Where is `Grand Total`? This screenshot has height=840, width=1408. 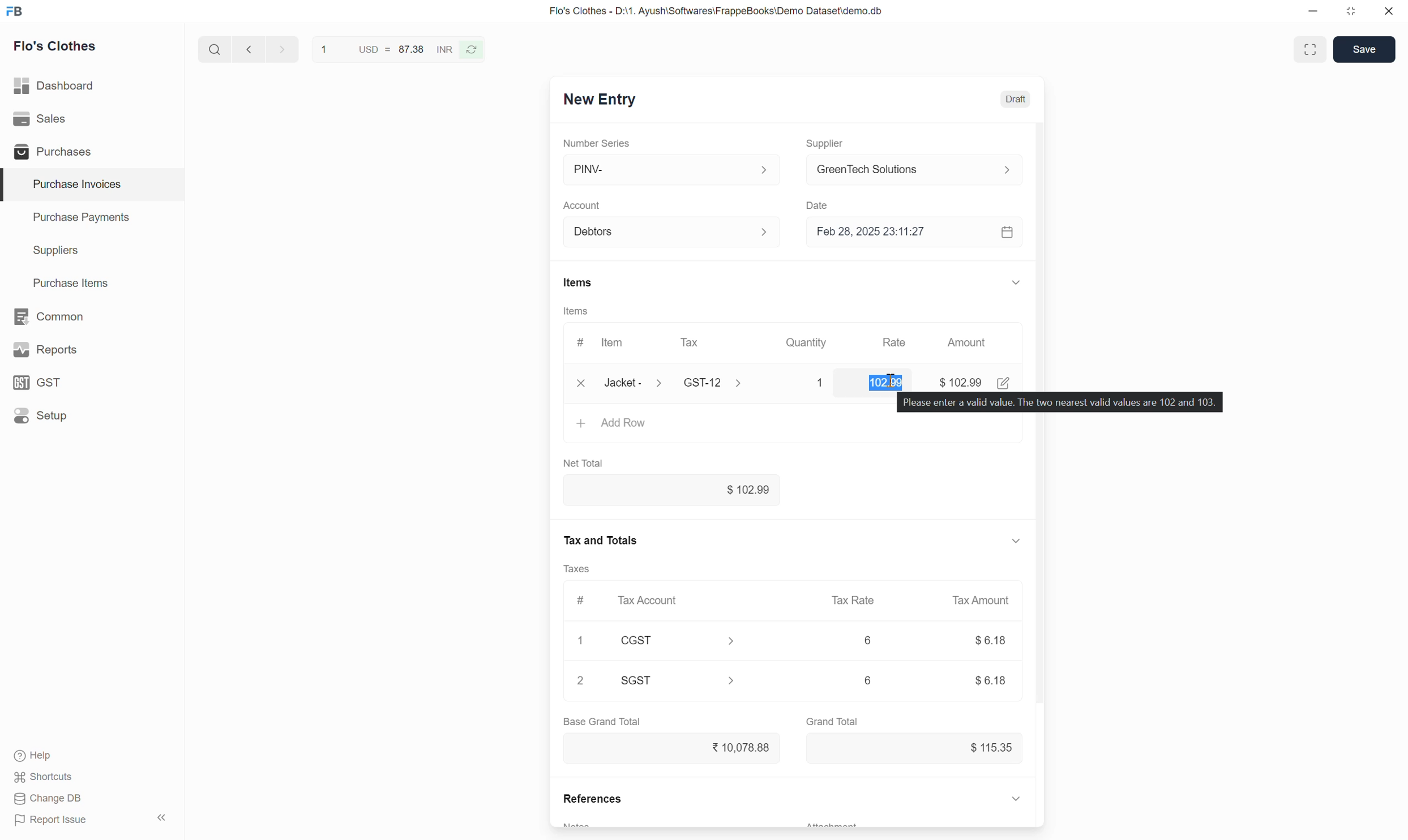 Grand Total is located at coordinates (832, 722).